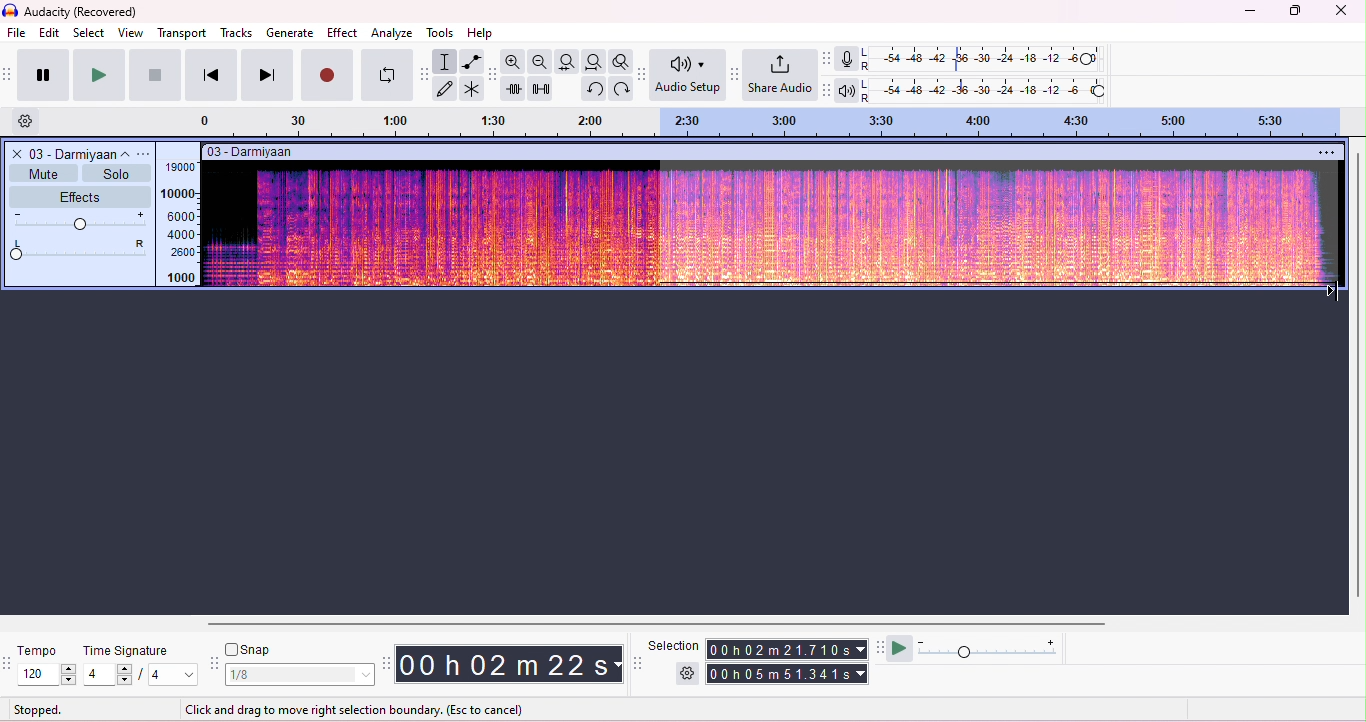 This screenshot has width=1366, height=722. Describe the element at coordinates (131, 33) in the screenshot. I see `view` at that location.